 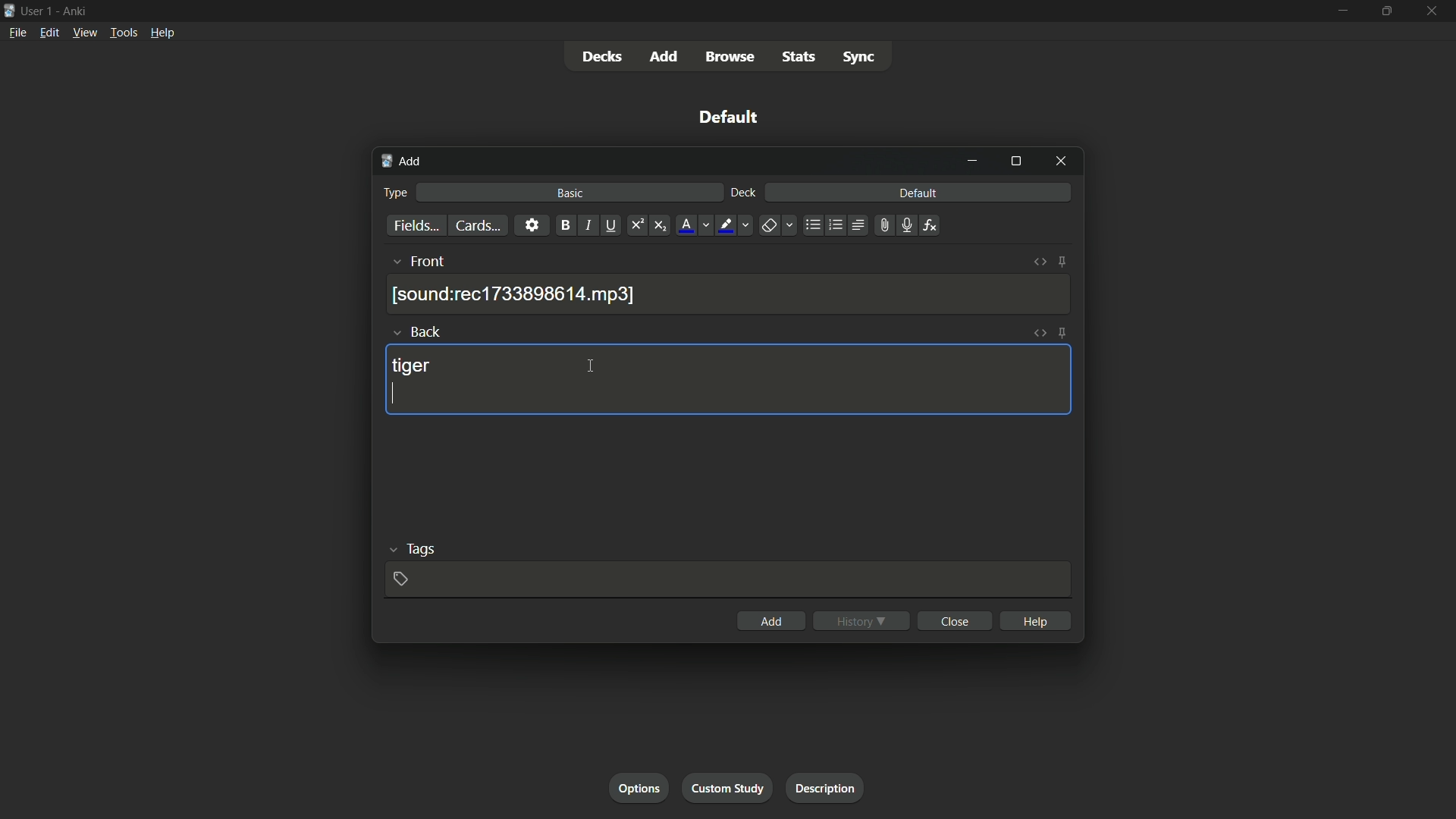 What do you see at coordinates (18, 32) in the screenshot?
I see `file menu` at bounding box center [18, 32].